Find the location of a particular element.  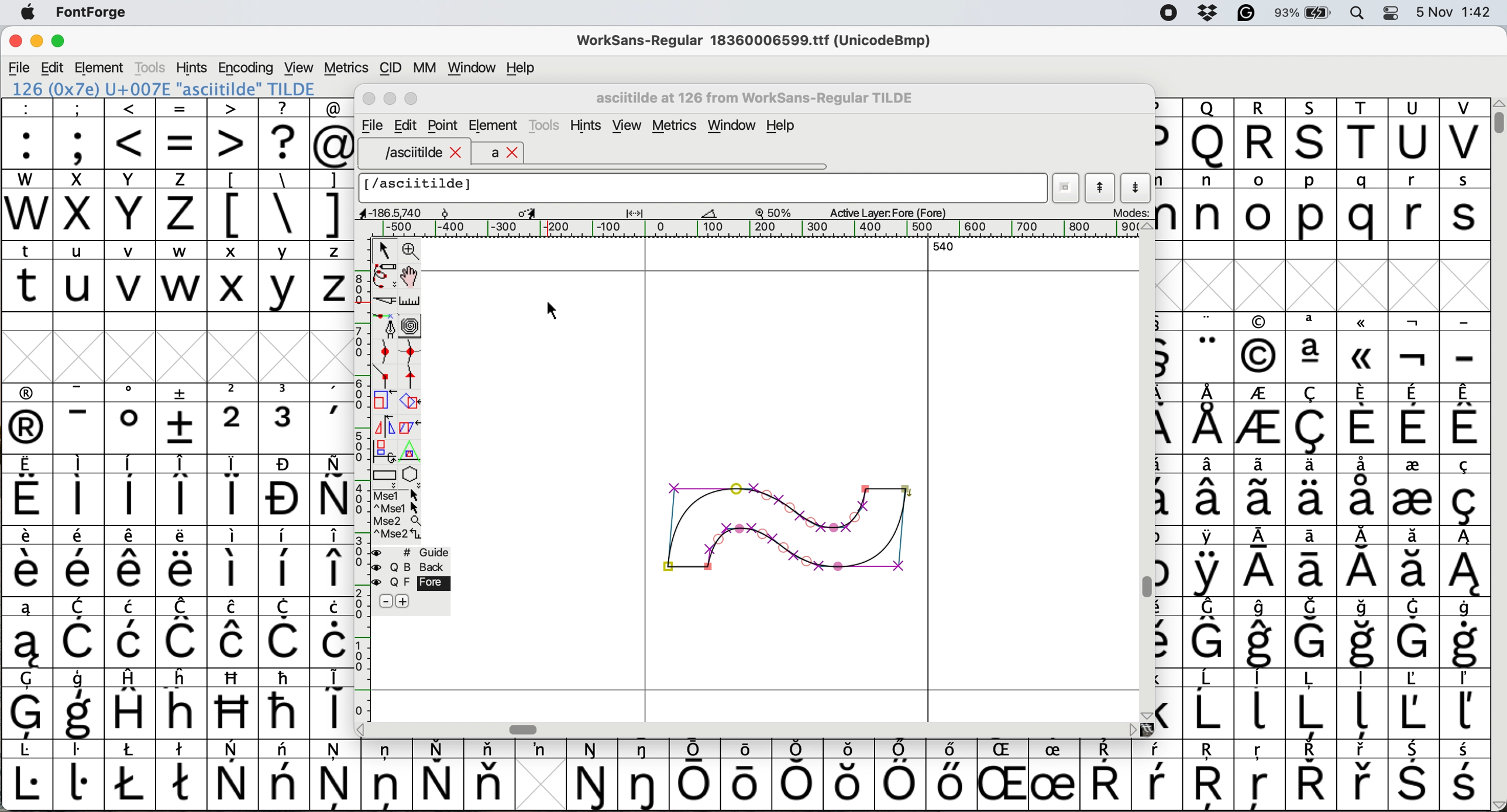

u is located at coordinates (80, 276).